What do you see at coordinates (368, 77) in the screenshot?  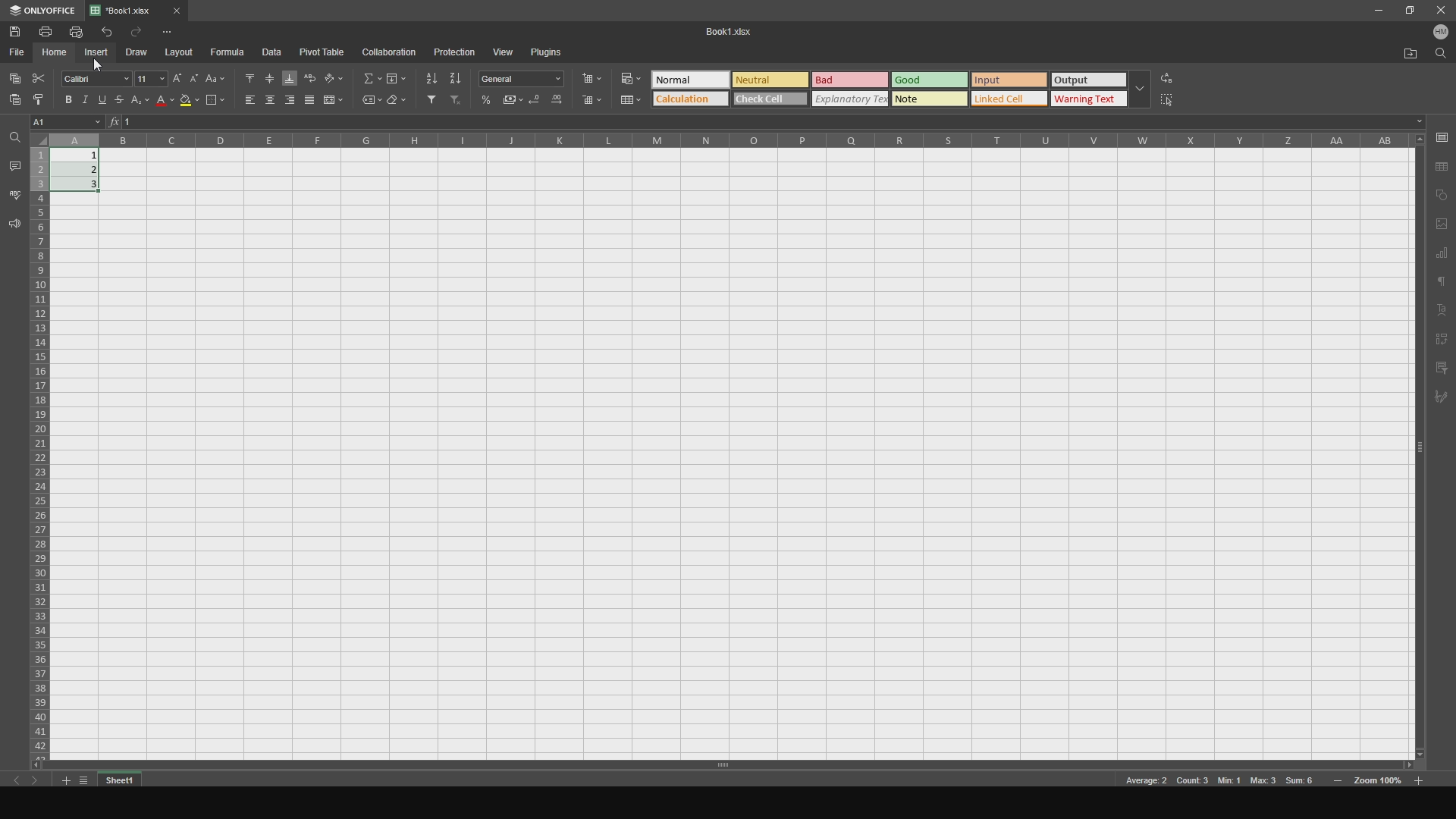 I see `summation` at bounding box center [368, 77].